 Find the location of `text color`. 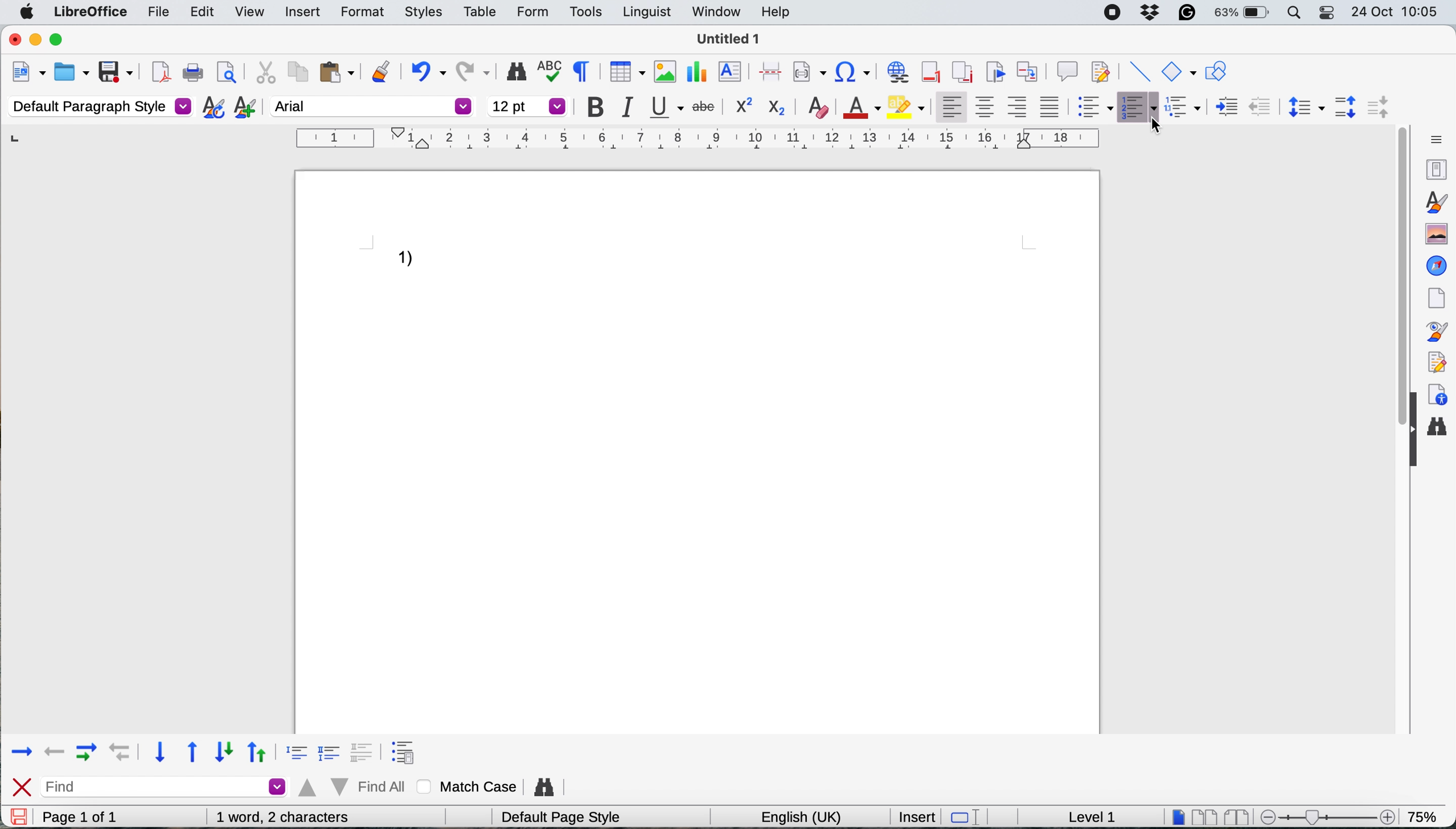

text color is located at coordinates (859, 106).